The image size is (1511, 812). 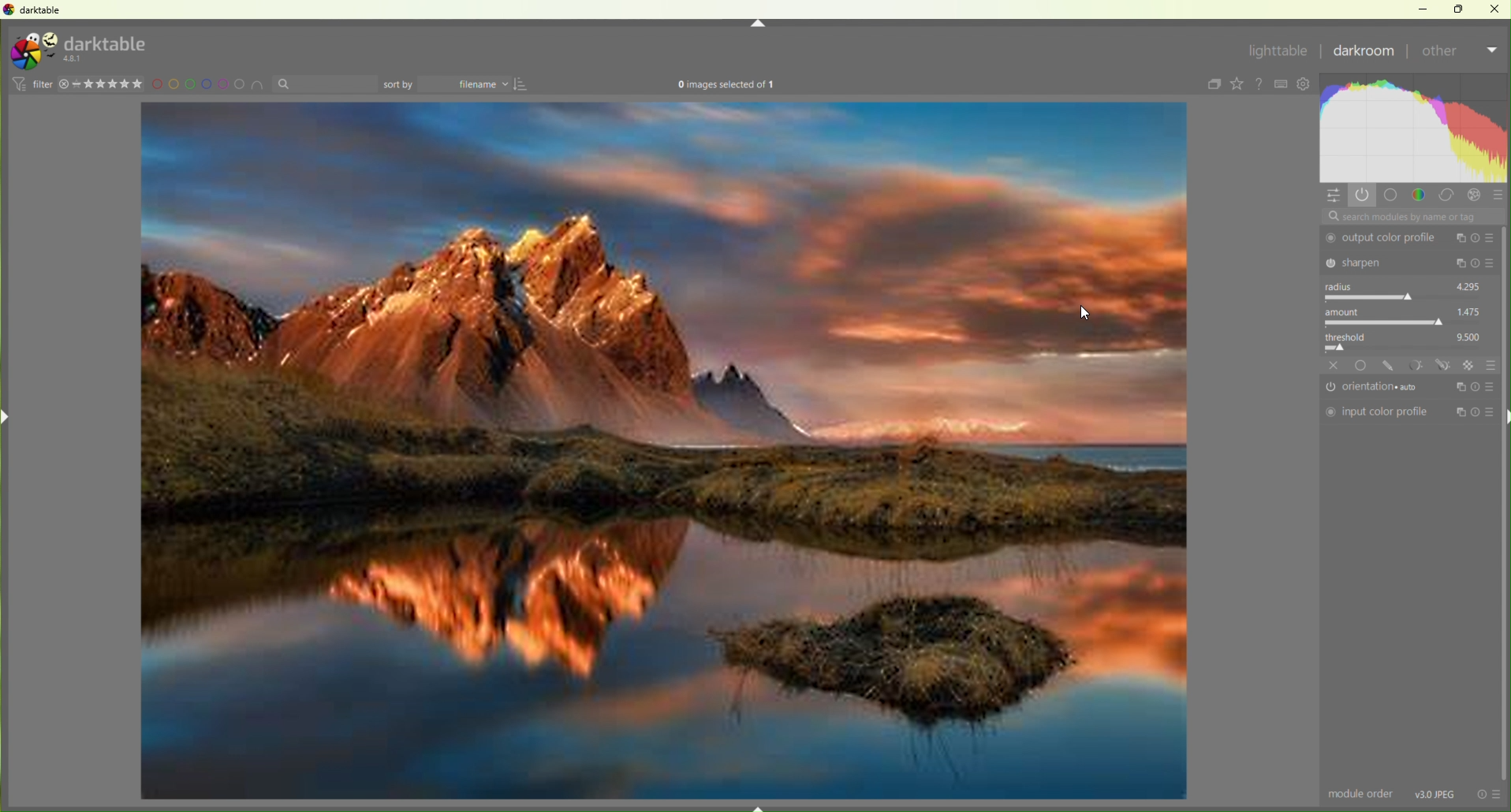 What do you see at coordinates (1364, 53) in the screenshot?
I see `Darkroom` at bounding box center [1364, 53].